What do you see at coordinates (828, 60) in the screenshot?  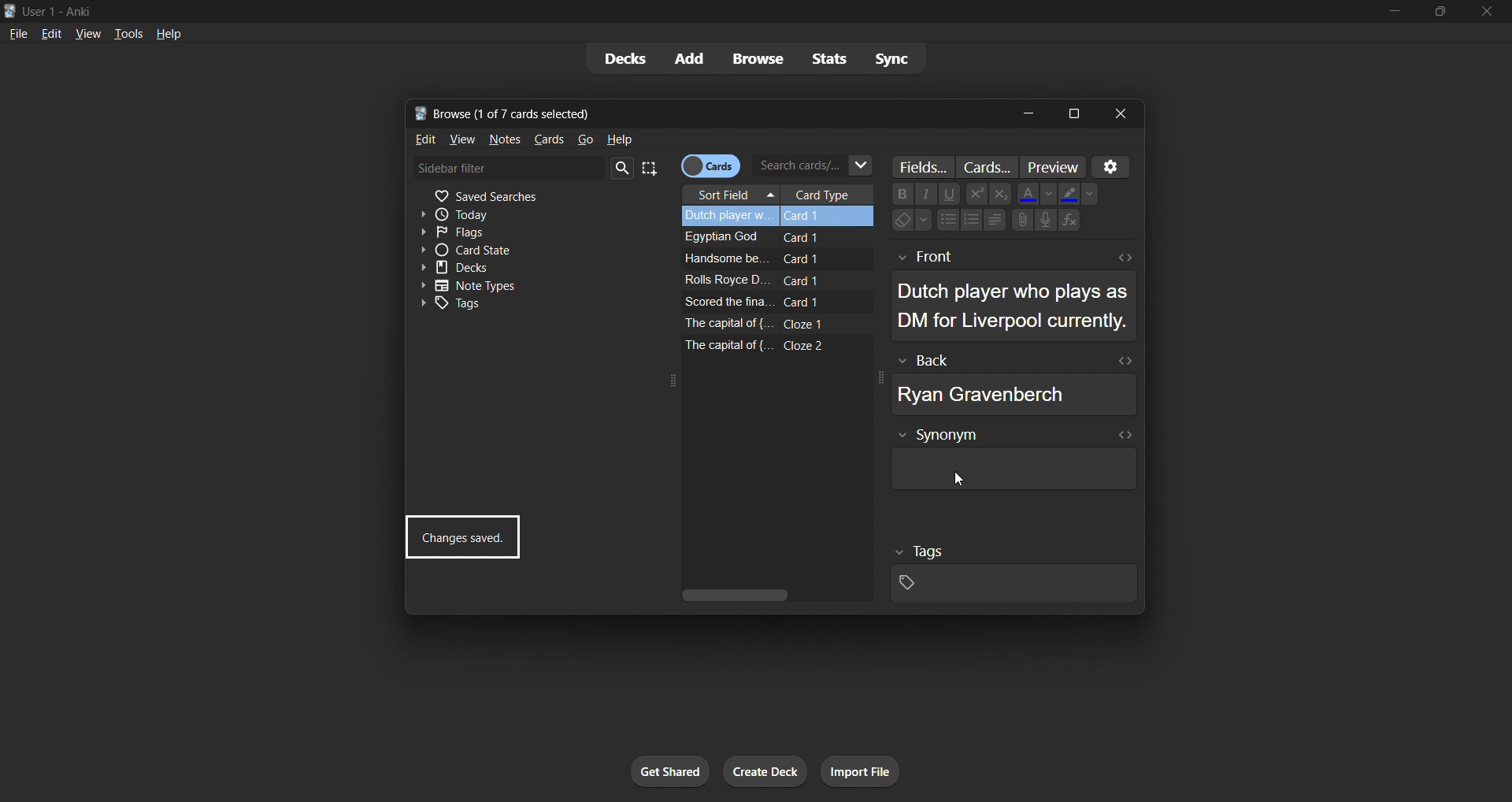 I see `stats` at bounding box center [828, 60].